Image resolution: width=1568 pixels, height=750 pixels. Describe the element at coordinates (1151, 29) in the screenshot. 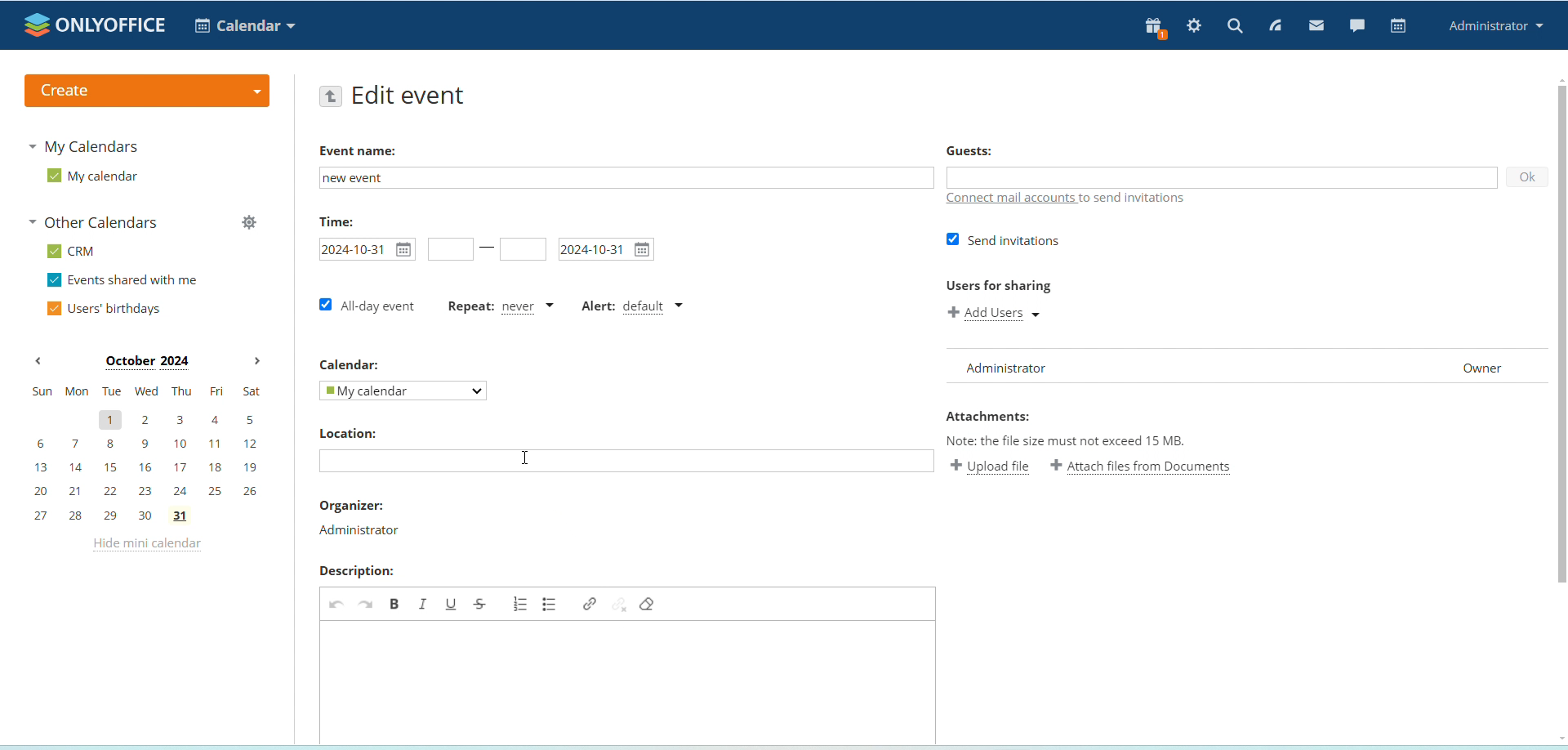

I see `present` at that location.